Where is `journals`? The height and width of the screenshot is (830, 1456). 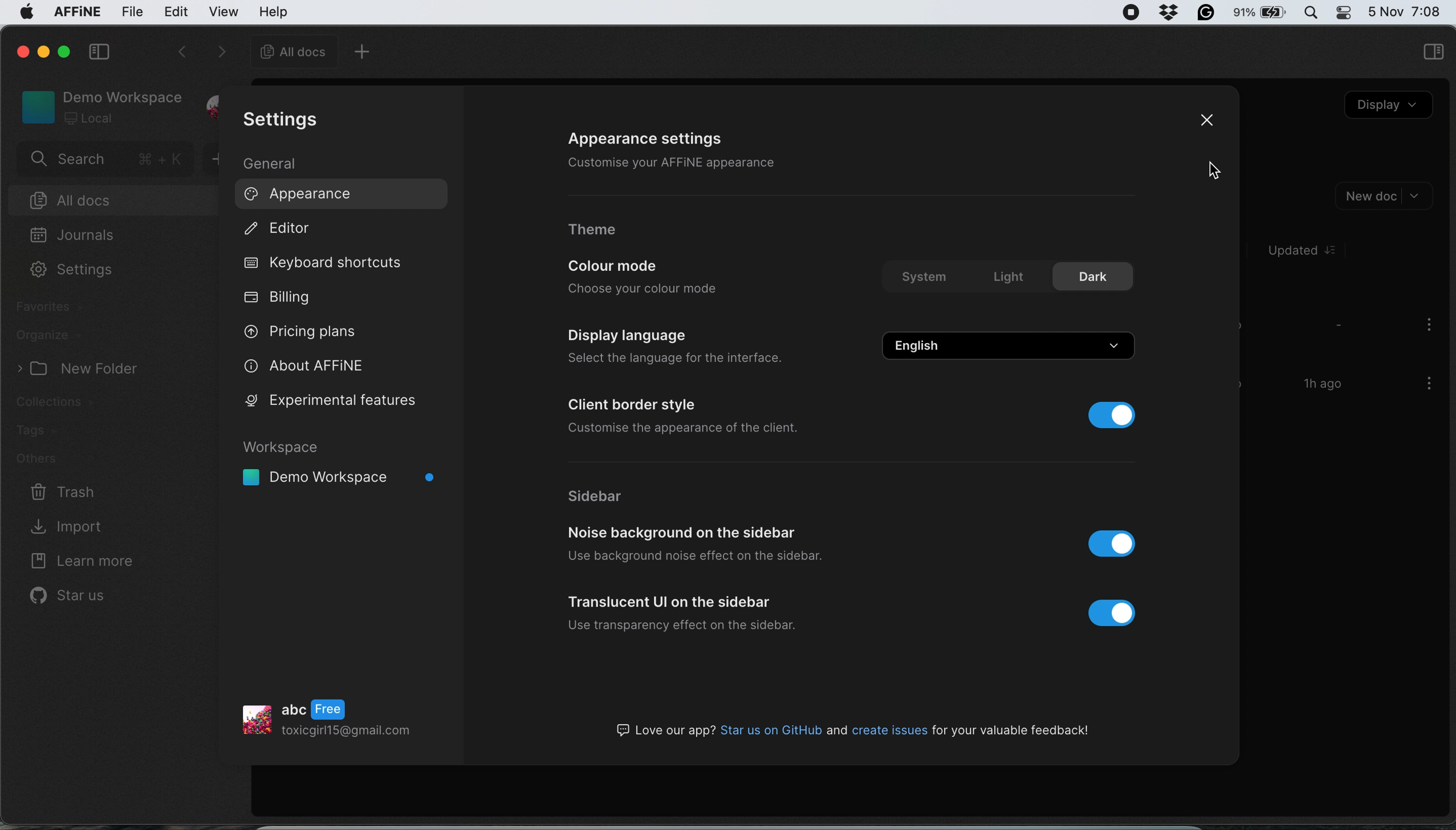 journals is located at coordinates (74, 234).